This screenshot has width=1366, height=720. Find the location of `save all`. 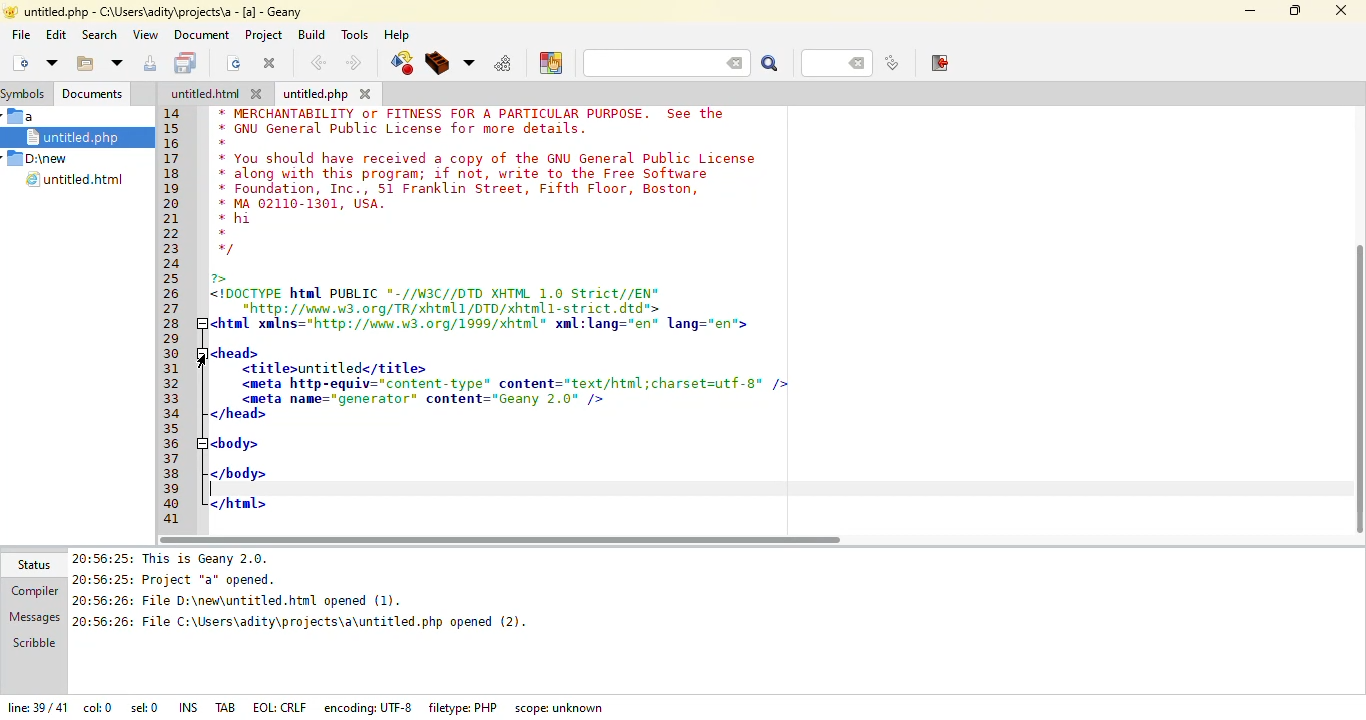

save all is located at coordinates (186, 63).